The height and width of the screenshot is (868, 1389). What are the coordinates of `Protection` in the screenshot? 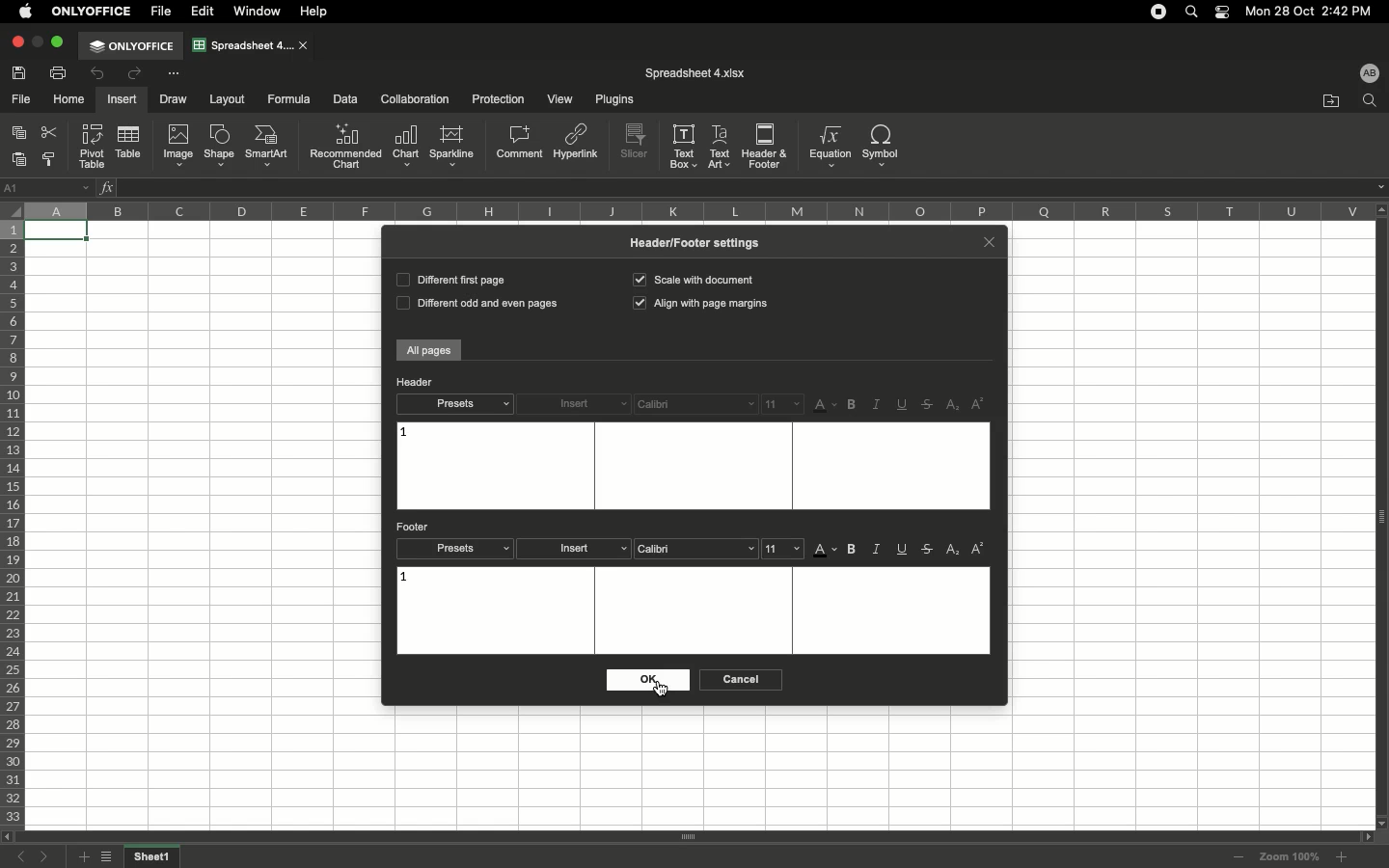 It's located at (494, 98).